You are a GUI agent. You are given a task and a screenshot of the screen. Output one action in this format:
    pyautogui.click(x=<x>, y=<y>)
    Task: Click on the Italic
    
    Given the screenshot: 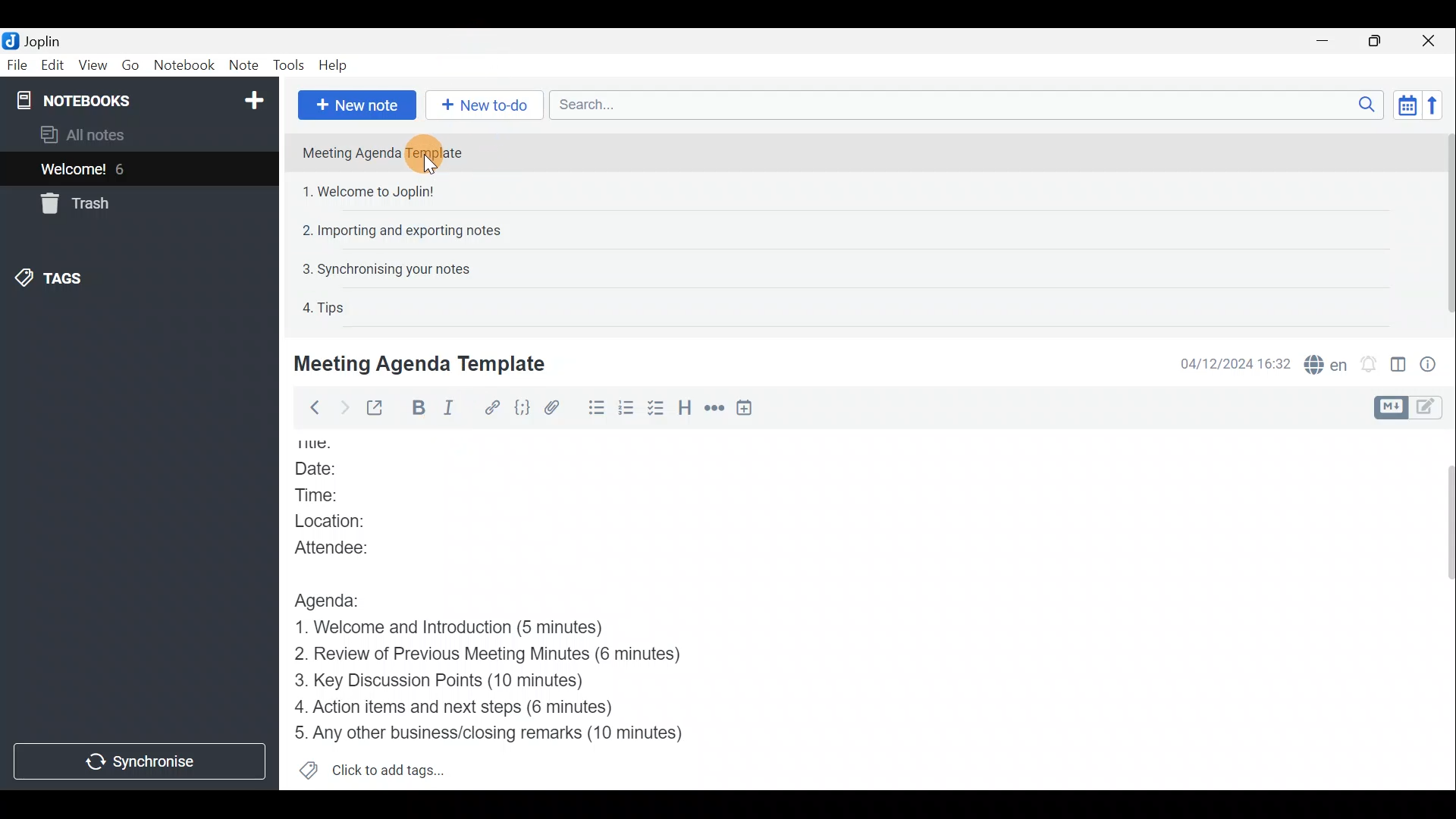 What is the action you would take?
    pyautogui.click(x=457, y=409)
    